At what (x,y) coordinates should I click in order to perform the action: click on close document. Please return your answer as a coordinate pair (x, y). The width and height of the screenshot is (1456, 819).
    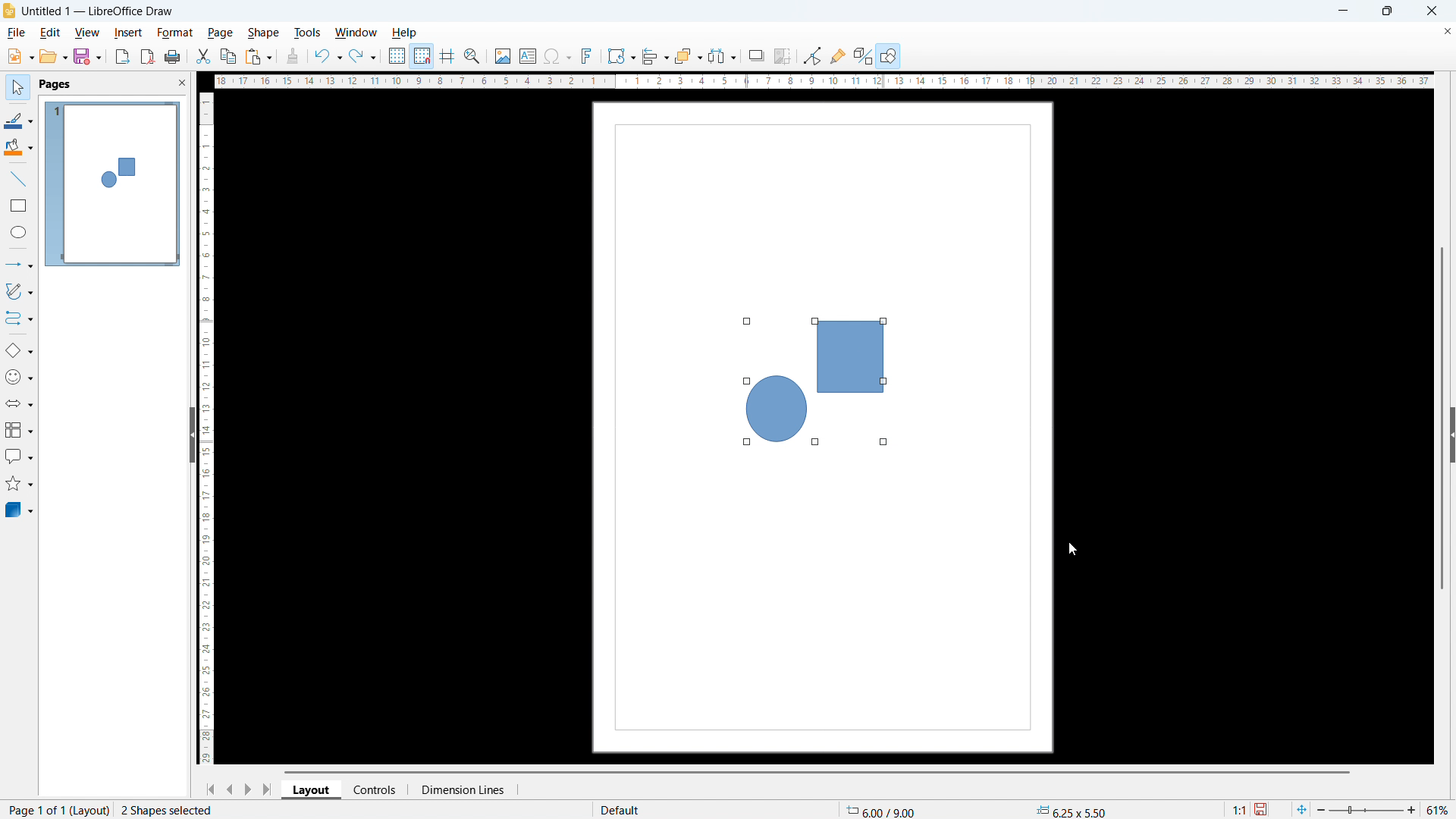
    Looking at the image, I should click on (1447, 30).